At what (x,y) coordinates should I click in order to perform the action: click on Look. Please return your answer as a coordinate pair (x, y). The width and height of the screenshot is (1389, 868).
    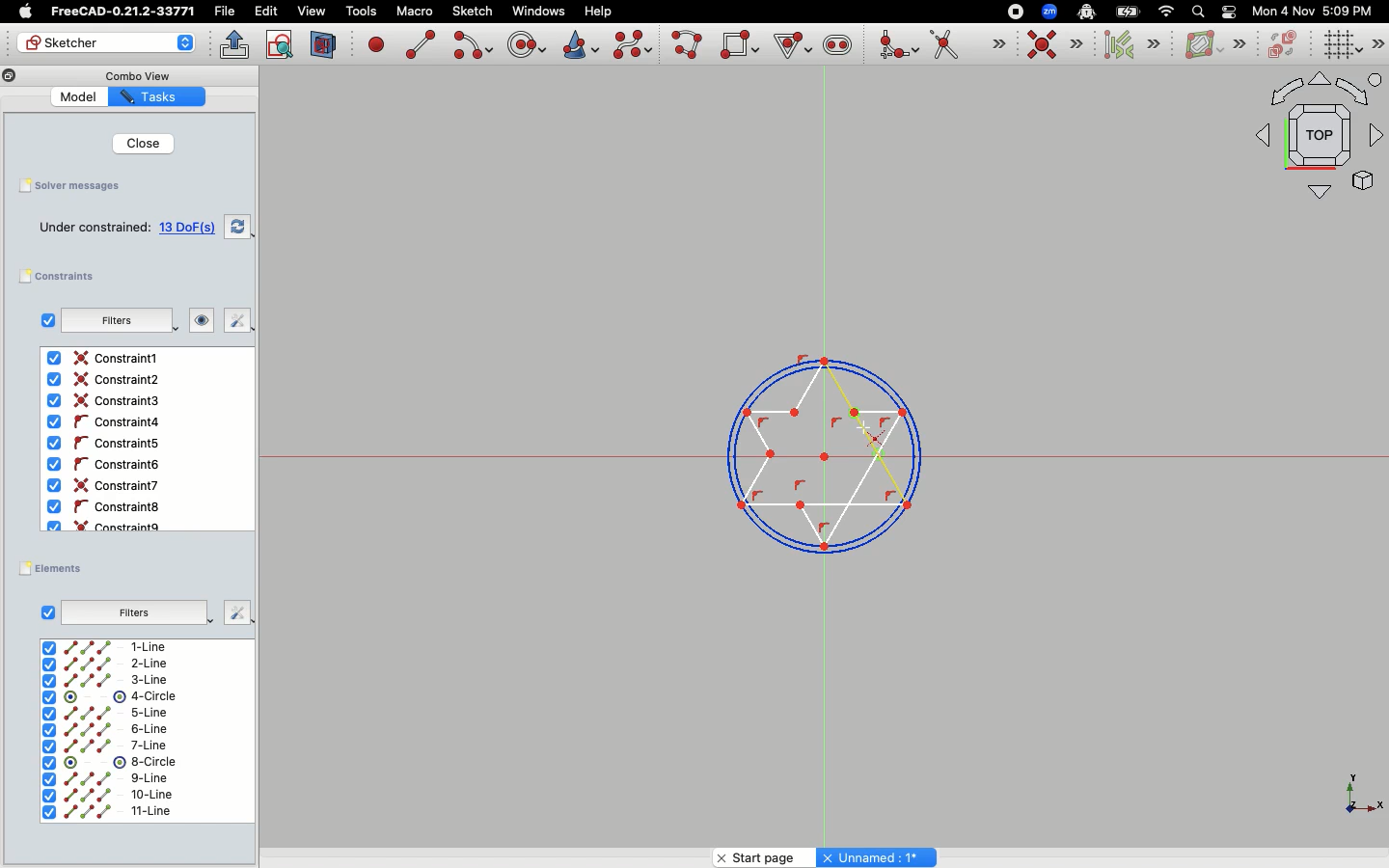
    Looking at the image, I should click on (194, 322).